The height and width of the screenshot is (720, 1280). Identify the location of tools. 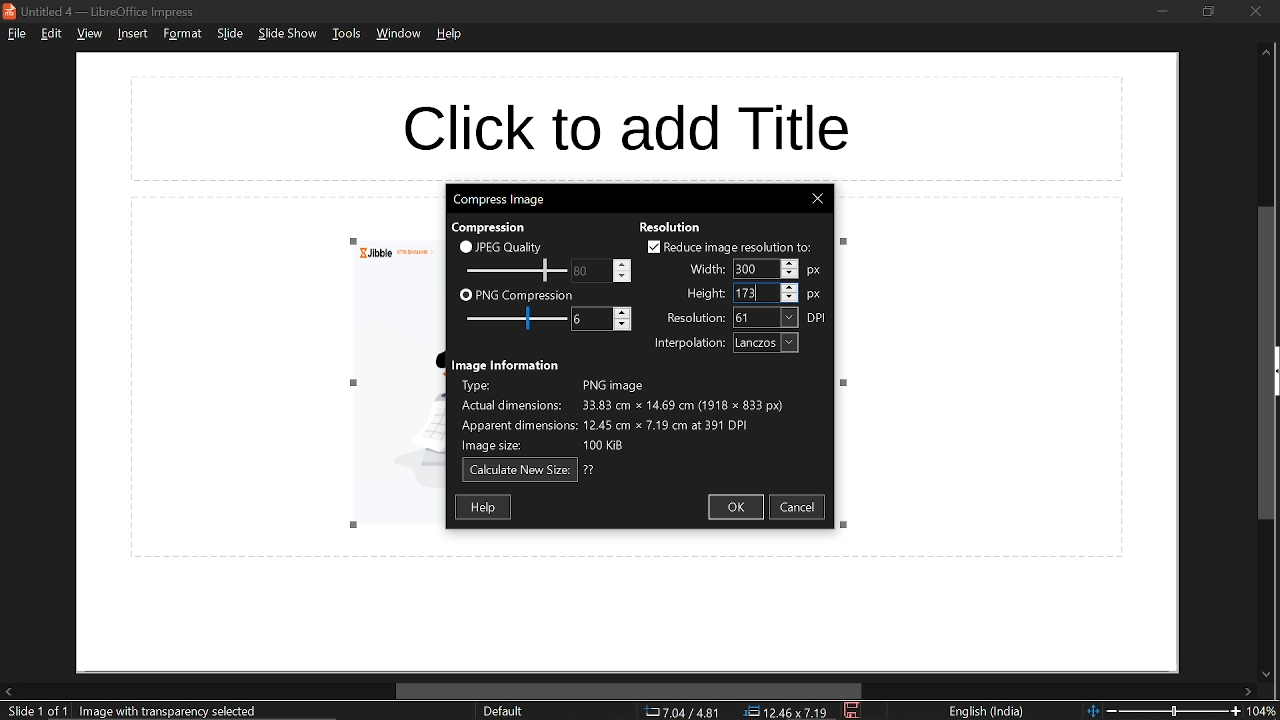
(345, 37).